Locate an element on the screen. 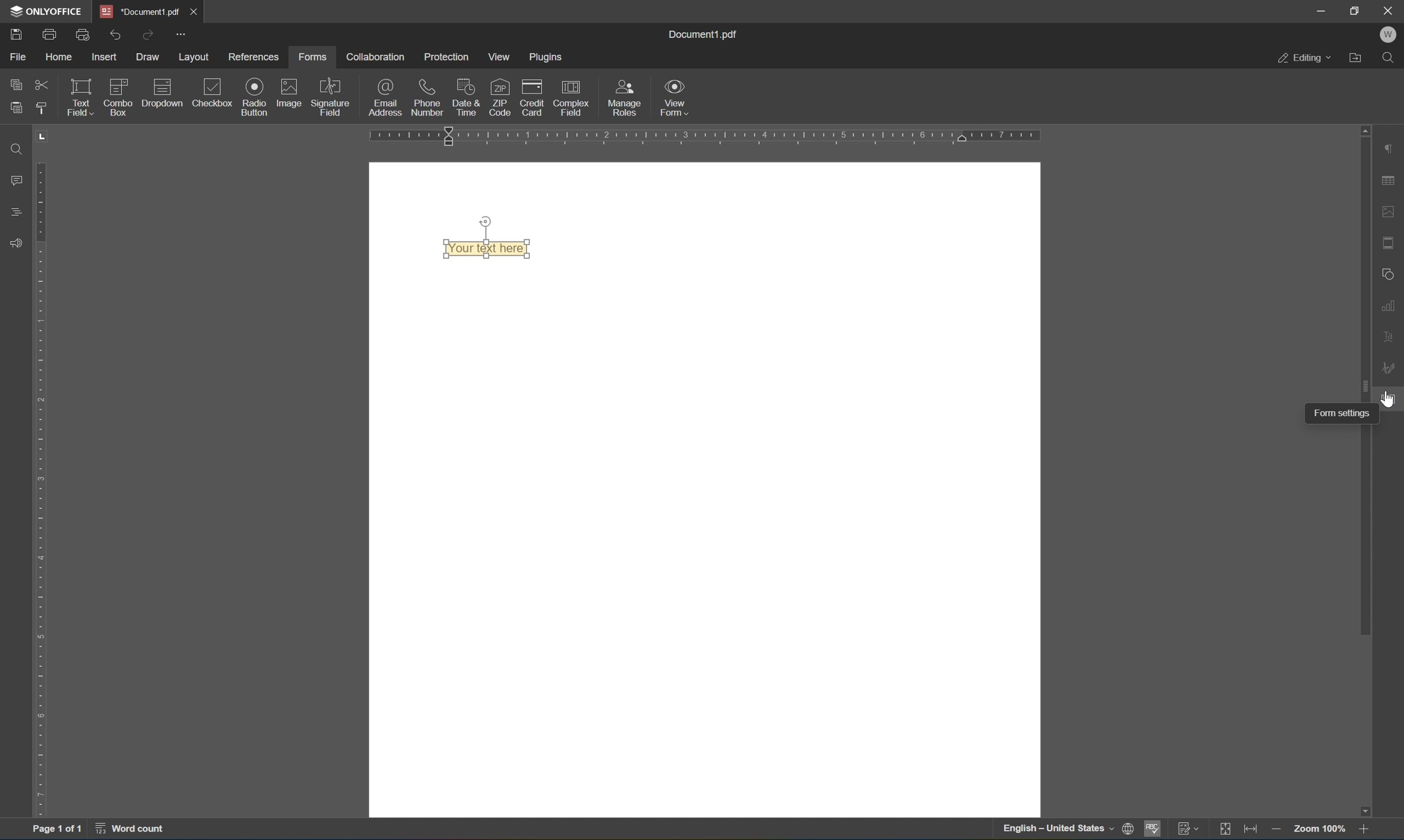  redo is located at coordinates (150, 35).